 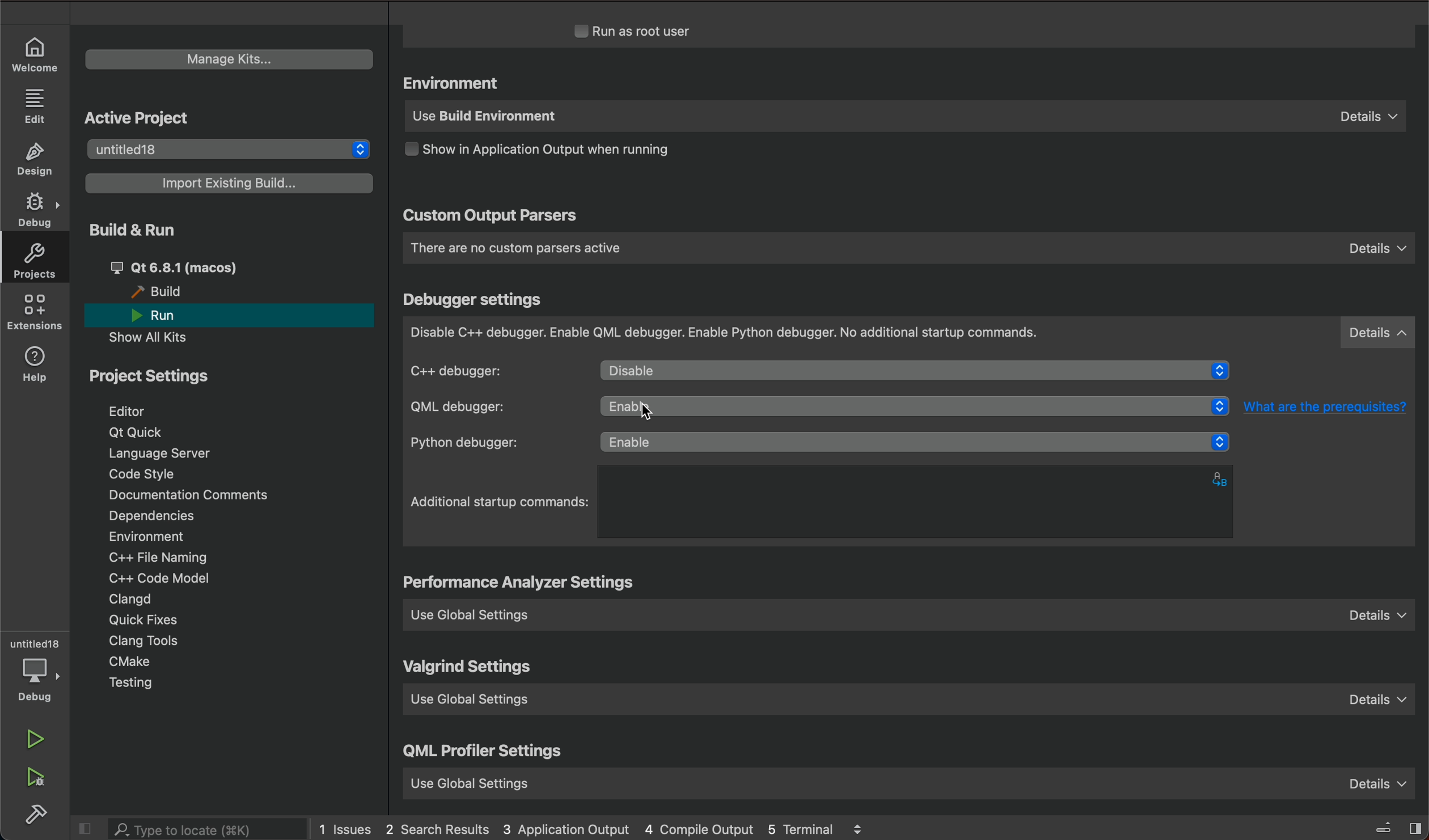 What do you see at coordinates (647, 31) in the screenshot?
I see `run as root user` at bounding box center [647, 31].